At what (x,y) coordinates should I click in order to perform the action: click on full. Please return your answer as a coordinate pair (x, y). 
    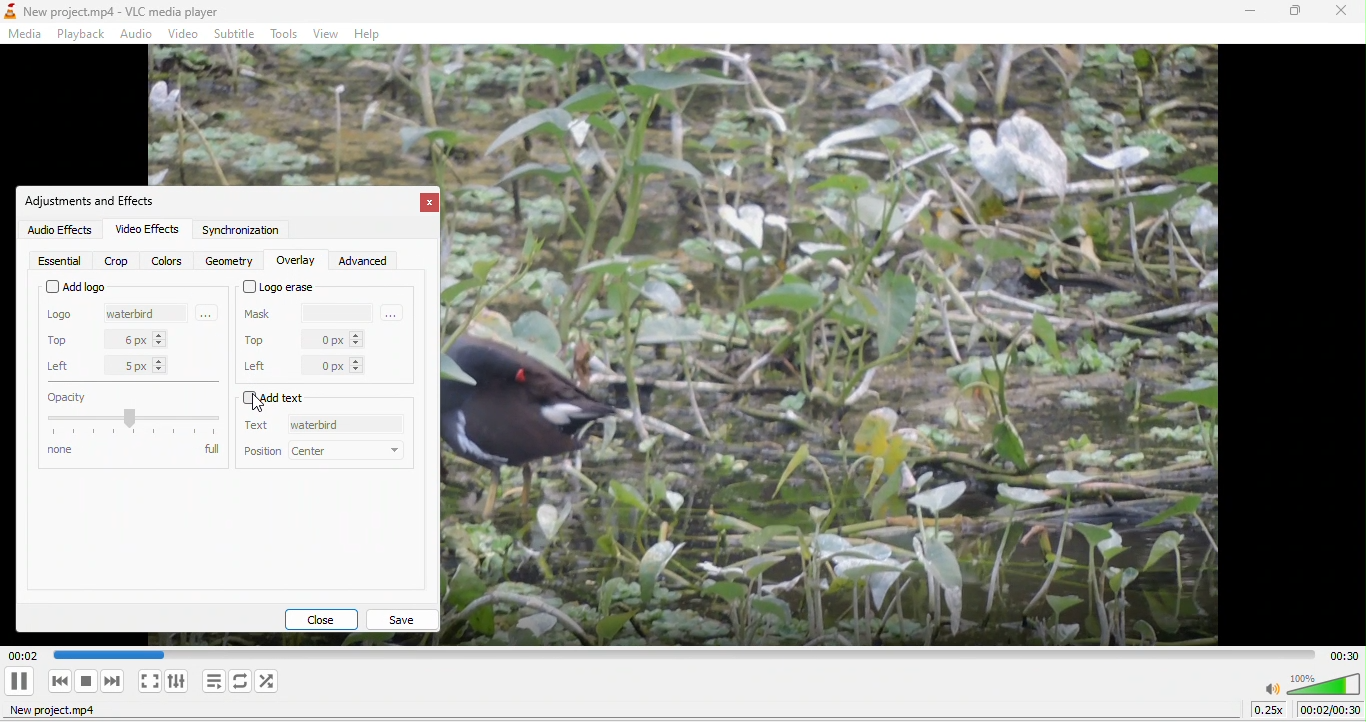
    Looking at the image, I should click on (211, 457).